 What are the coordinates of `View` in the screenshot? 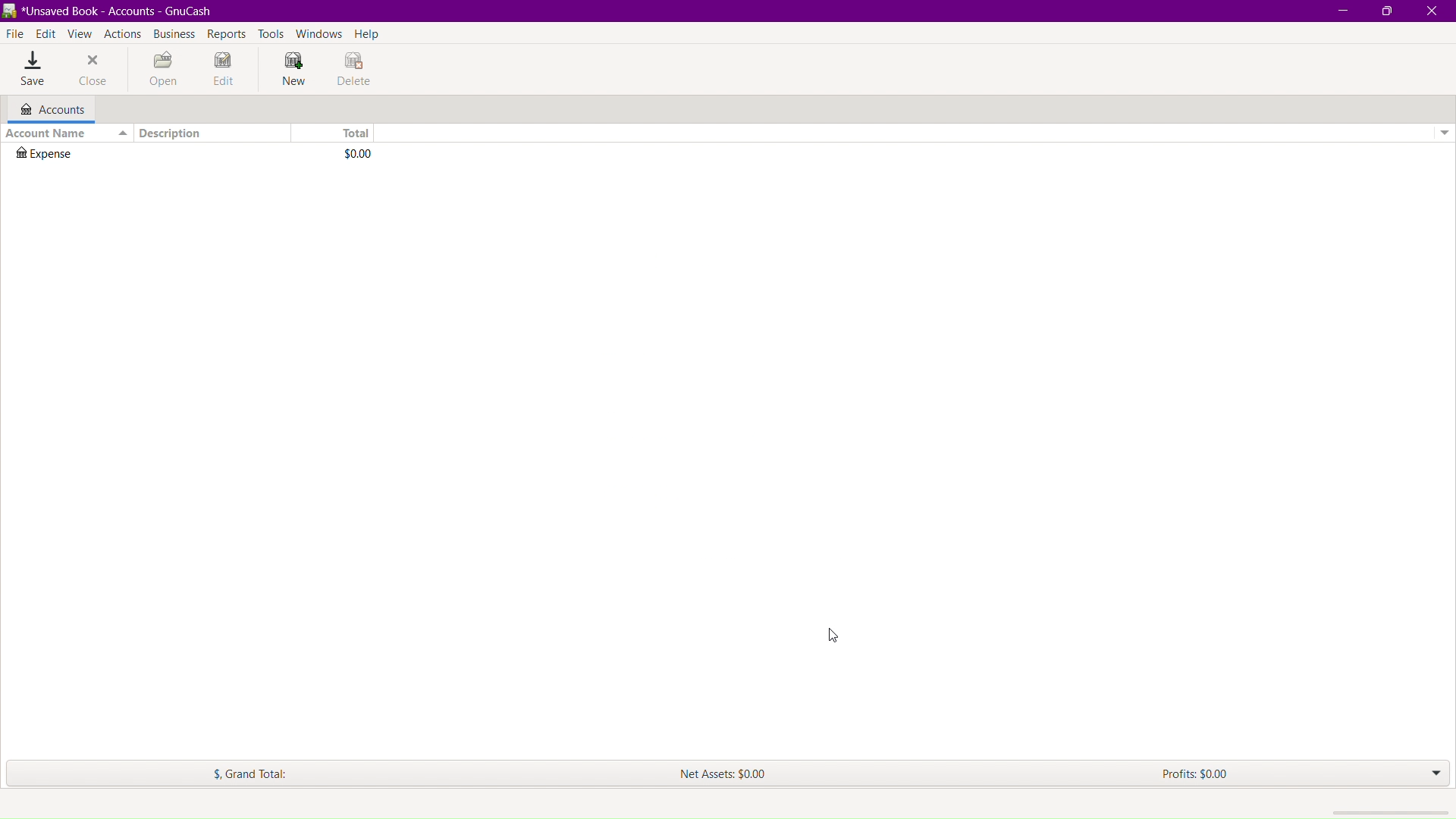 It's located at (83, 33).